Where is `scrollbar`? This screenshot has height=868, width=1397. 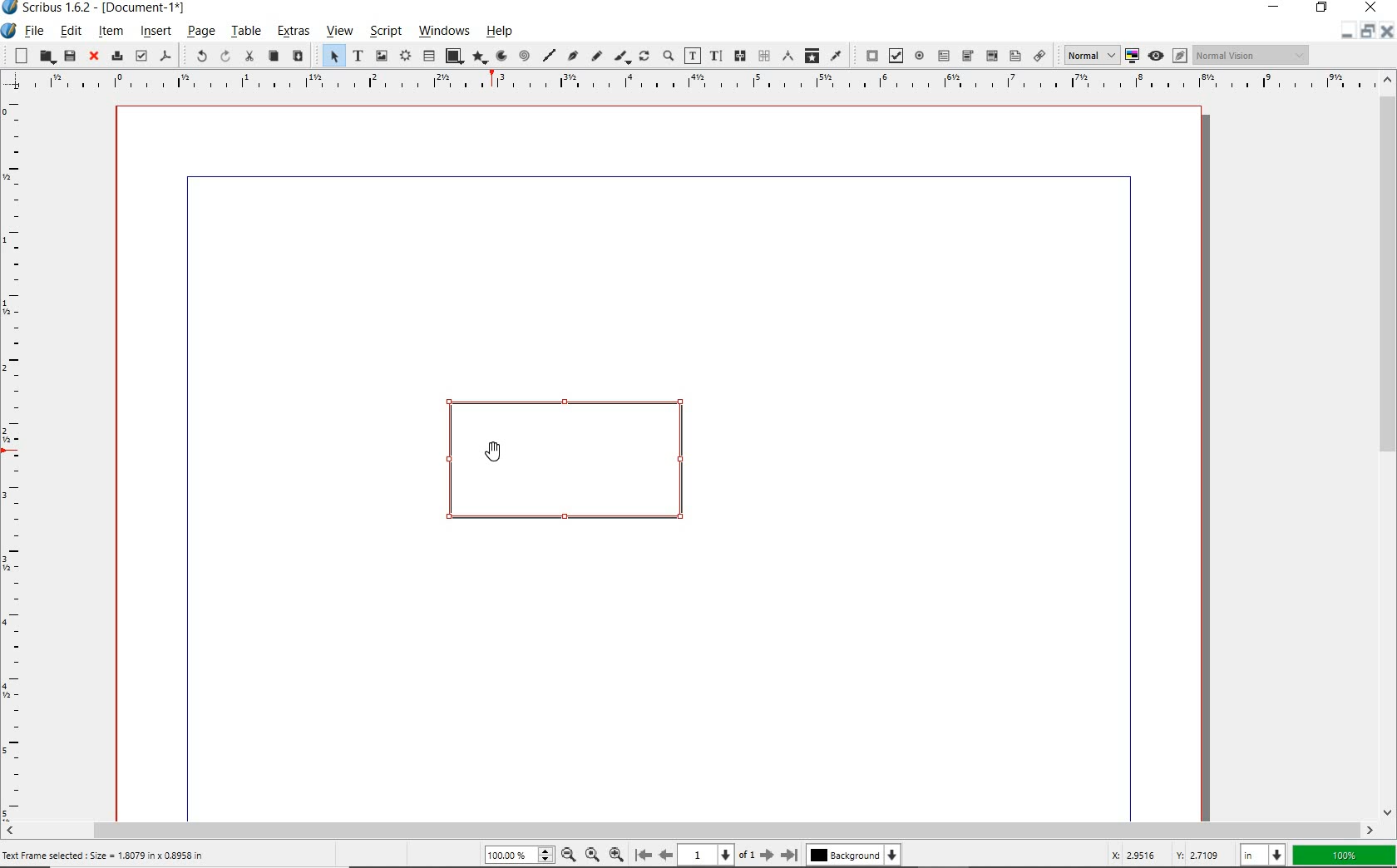 scrollbar is located at coordinates (1389, 445).